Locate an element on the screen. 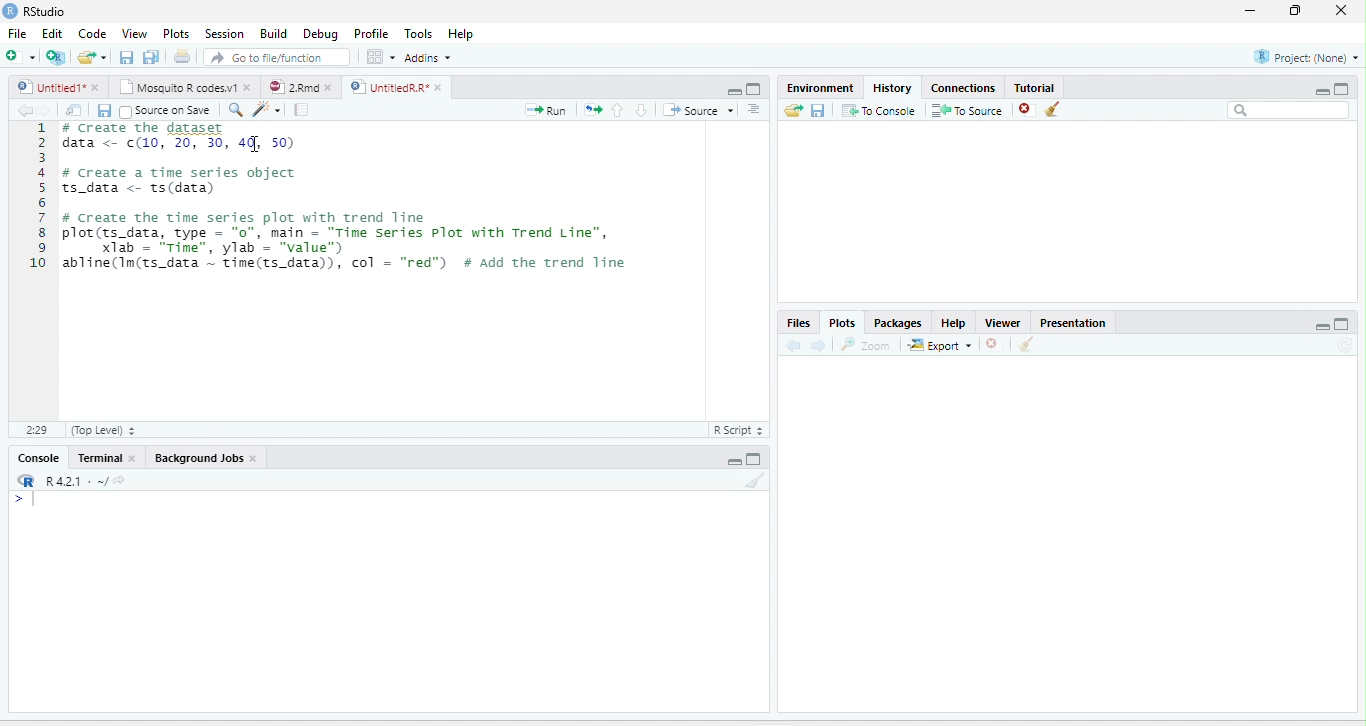 The height and width of the screenshot is (726, 1366). Save current document is located at coordinates (104, 111).